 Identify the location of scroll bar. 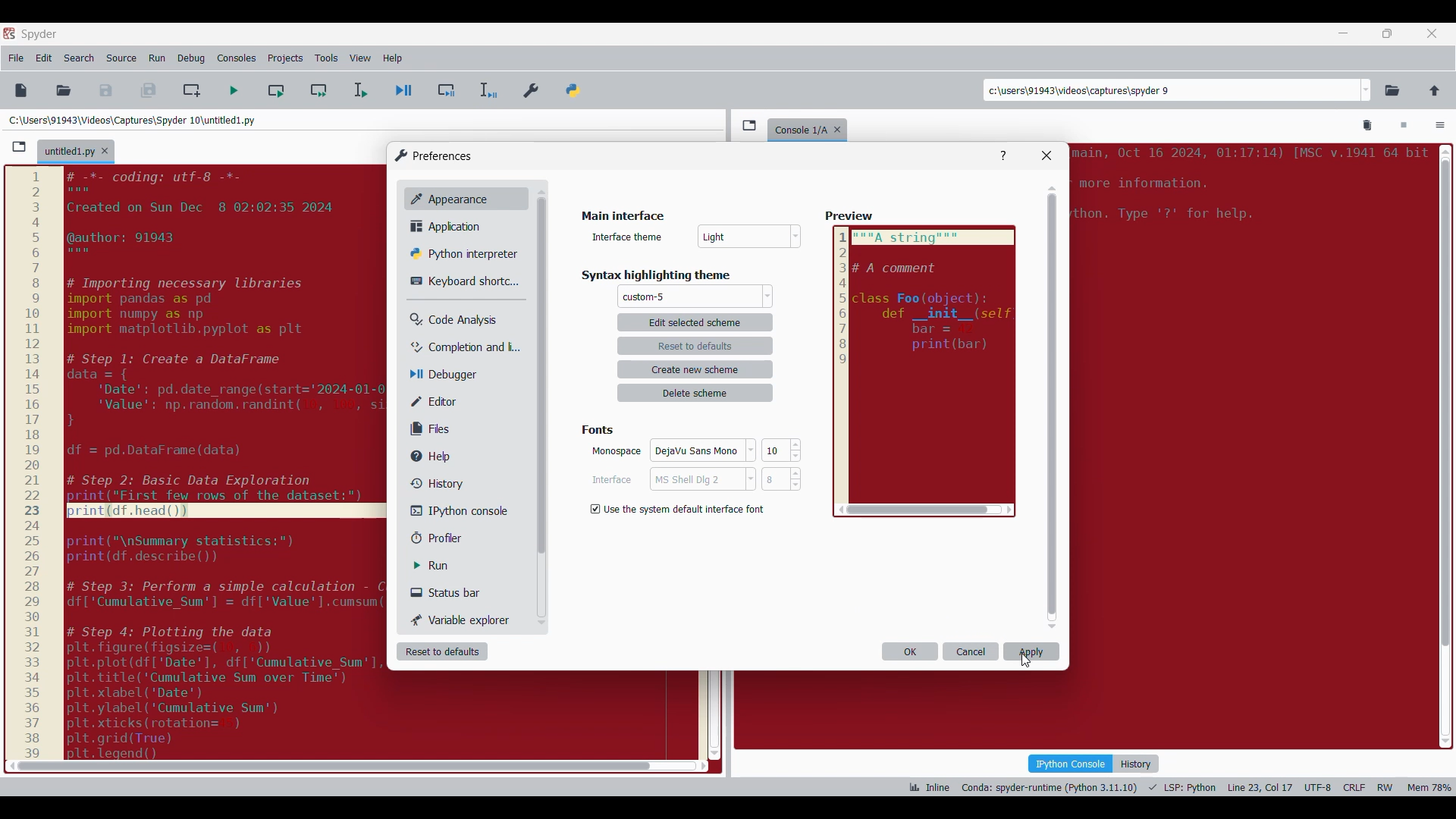
(1443, 442).